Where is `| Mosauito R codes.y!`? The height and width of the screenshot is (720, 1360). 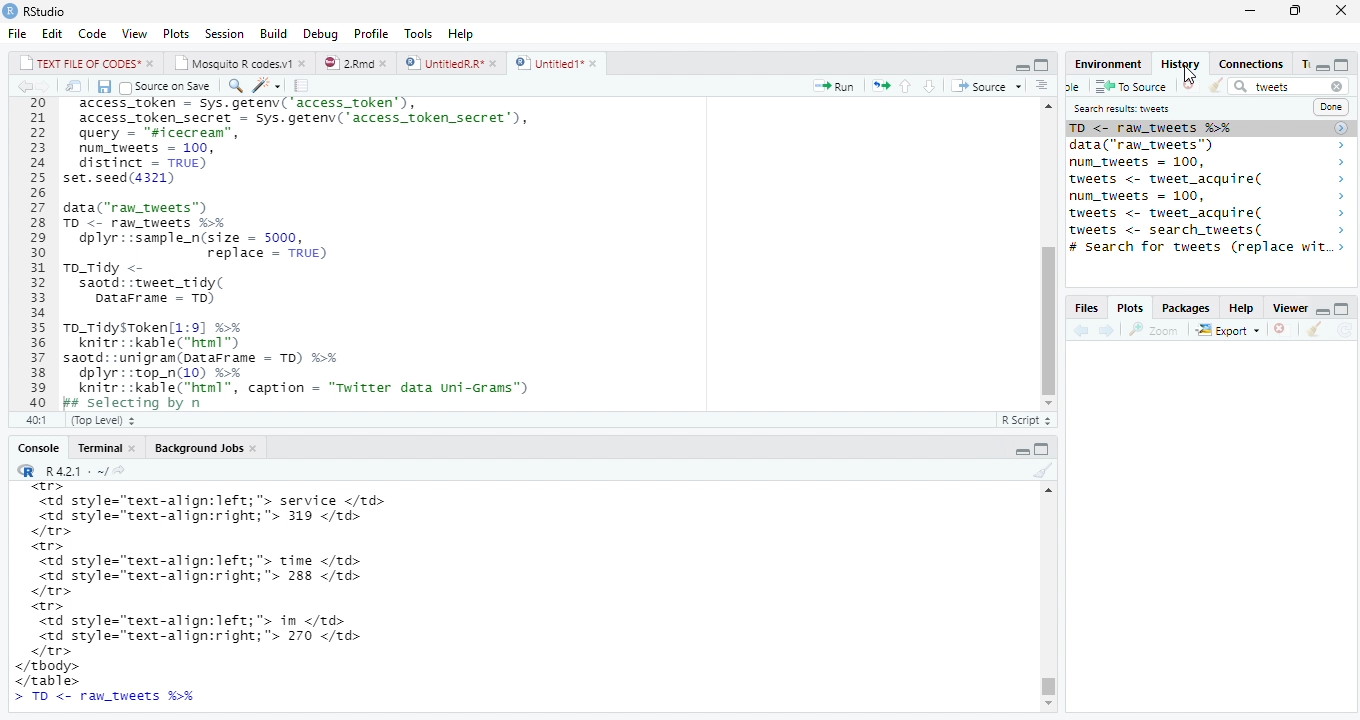
| Mosauito R codes.y! is located at coordinates (239, 62).